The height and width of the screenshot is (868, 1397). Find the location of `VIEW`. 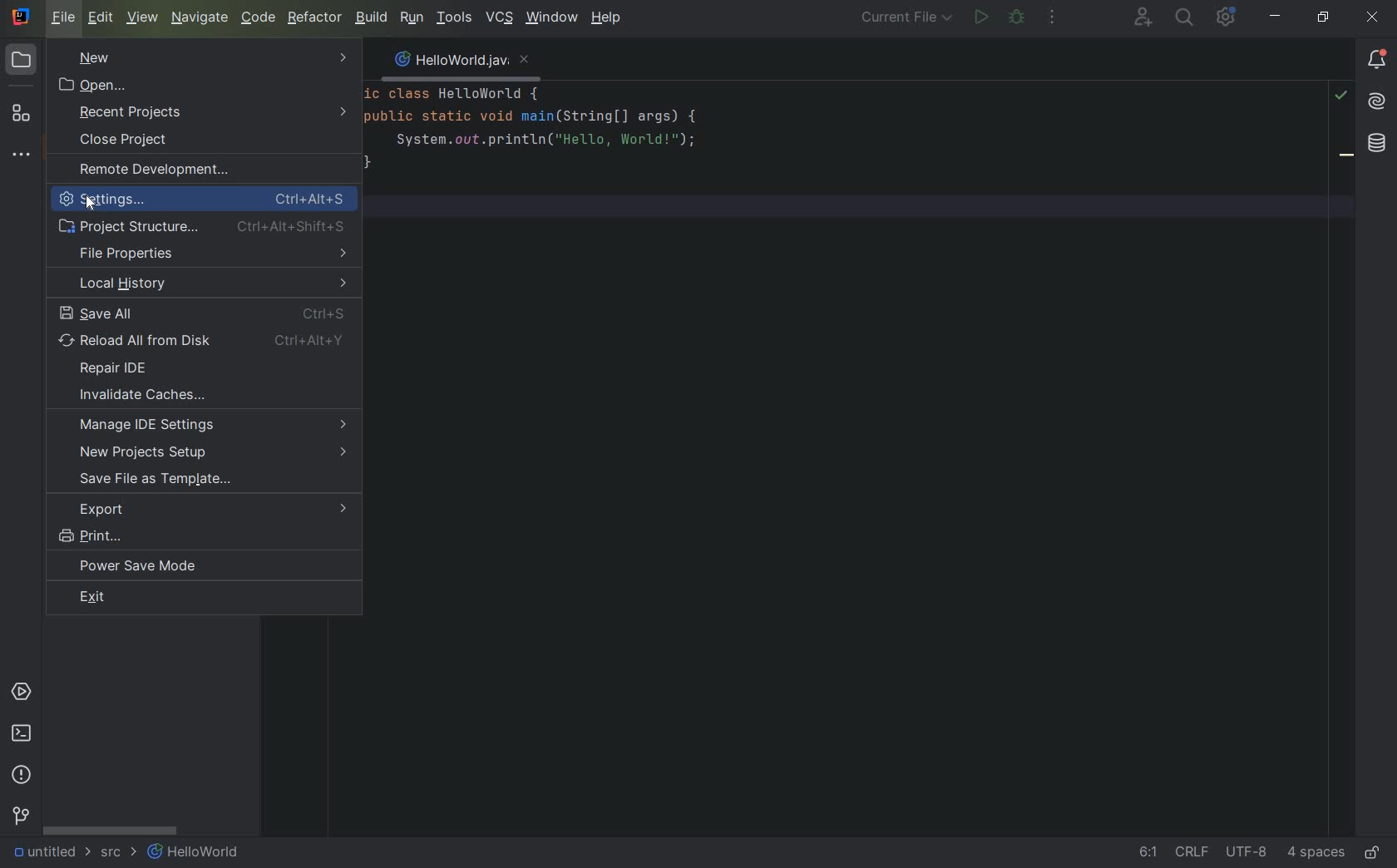

VIEW is located at coordinates (142, 18).